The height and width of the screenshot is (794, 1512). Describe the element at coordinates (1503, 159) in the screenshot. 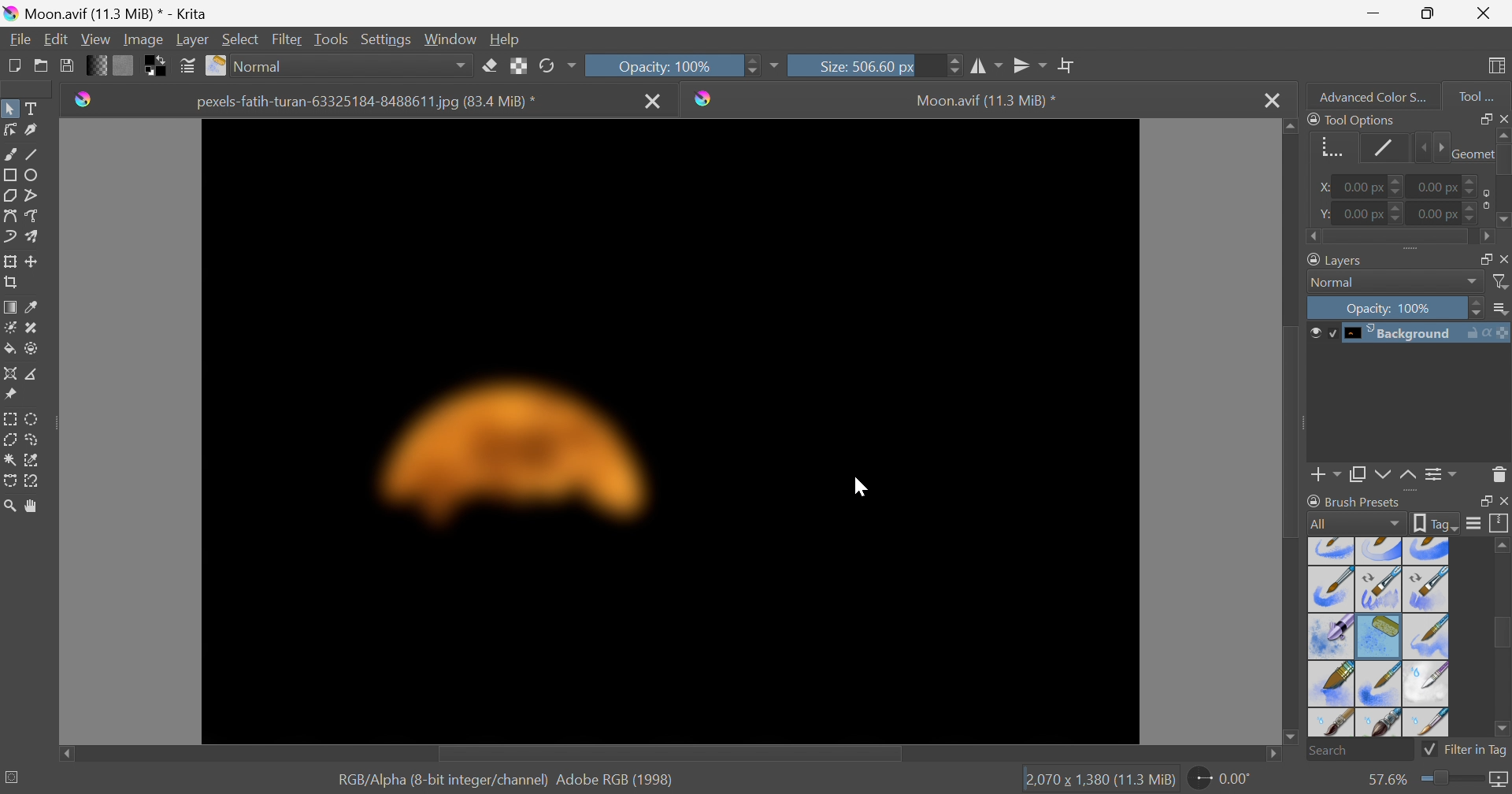

I see `Scroll bar` at that location.